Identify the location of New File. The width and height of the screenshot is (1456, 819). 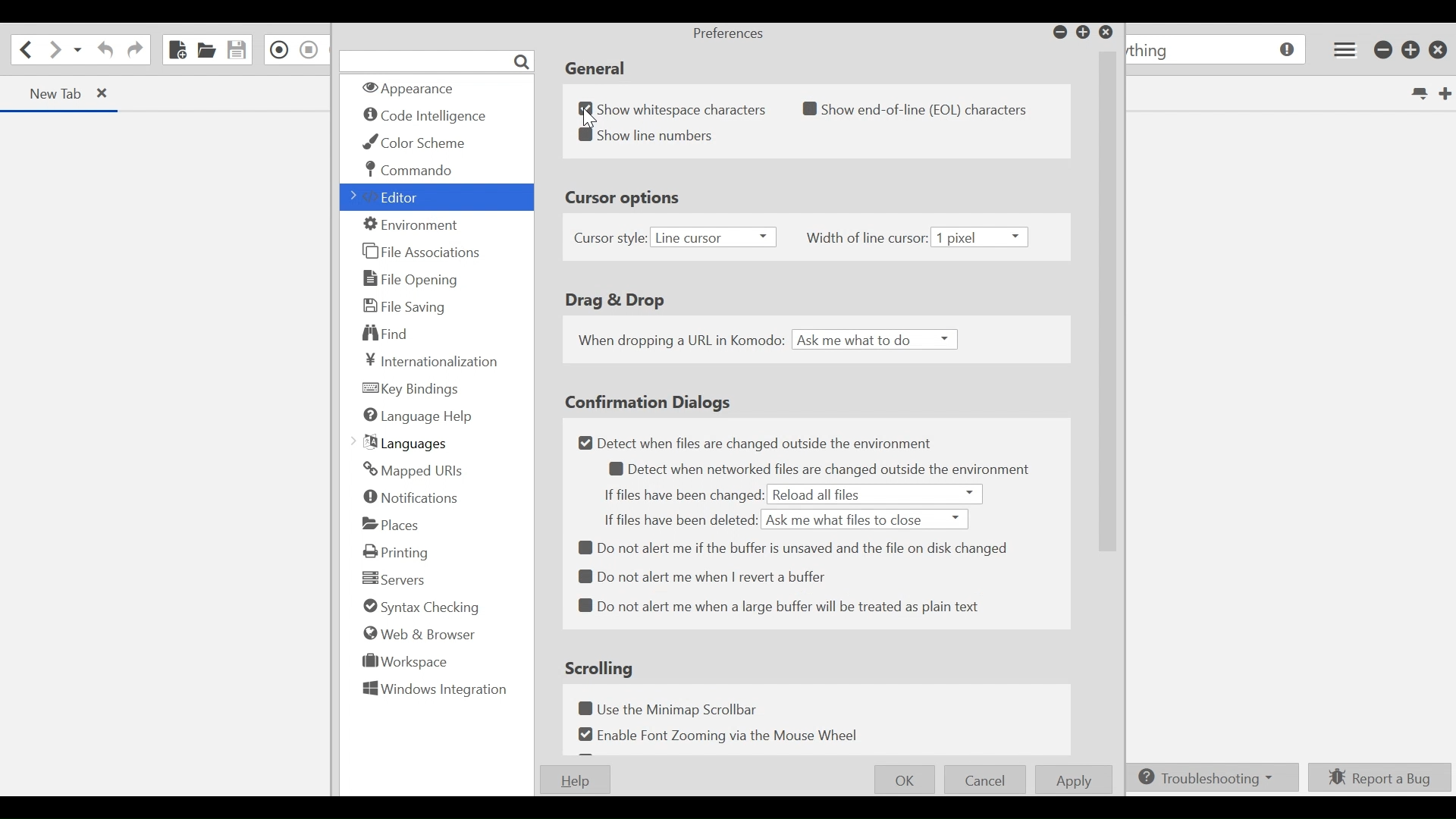
(177, 49).